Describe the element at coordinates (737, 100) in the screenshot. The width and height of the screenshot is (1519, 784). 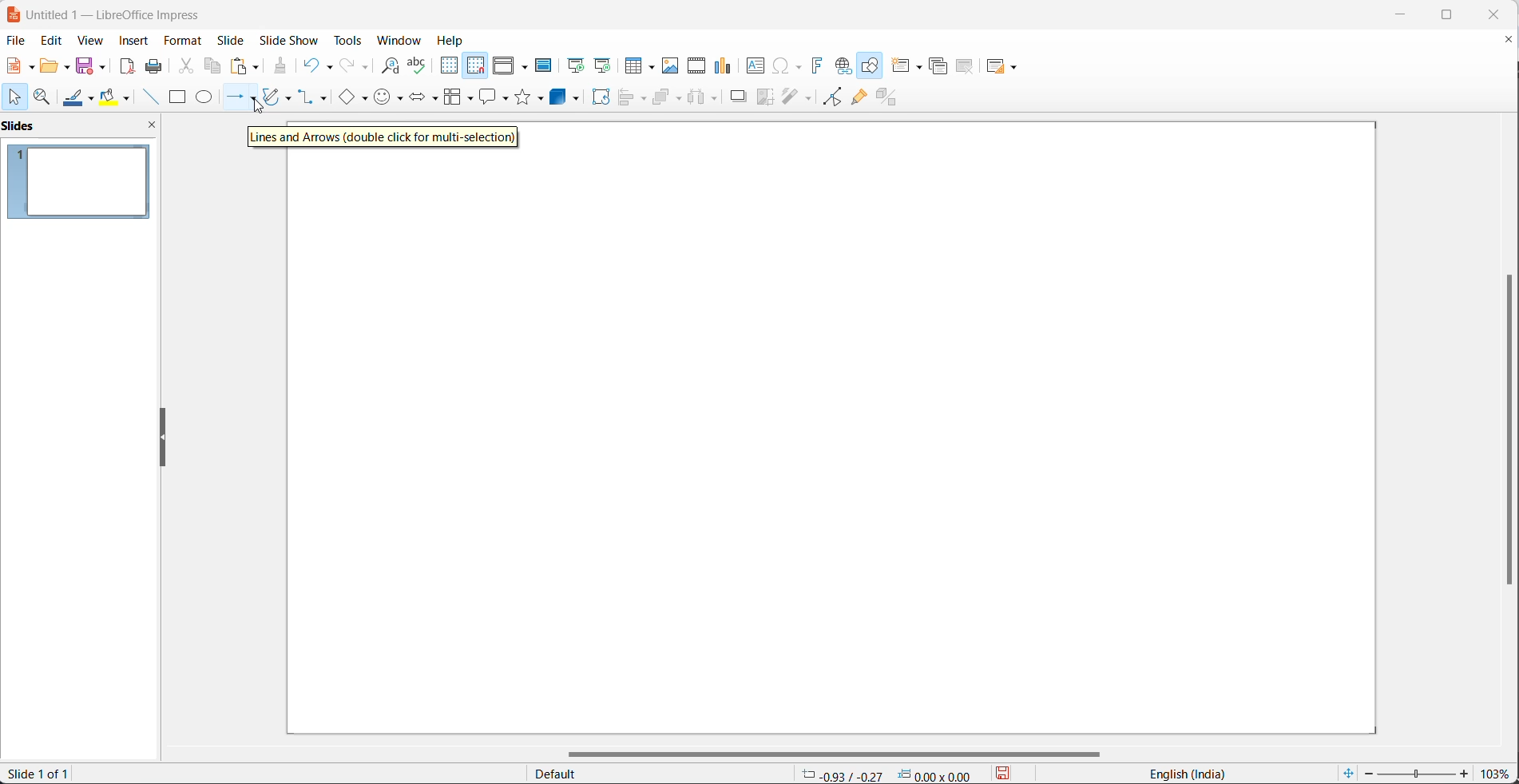
I see `shadow` at that location.